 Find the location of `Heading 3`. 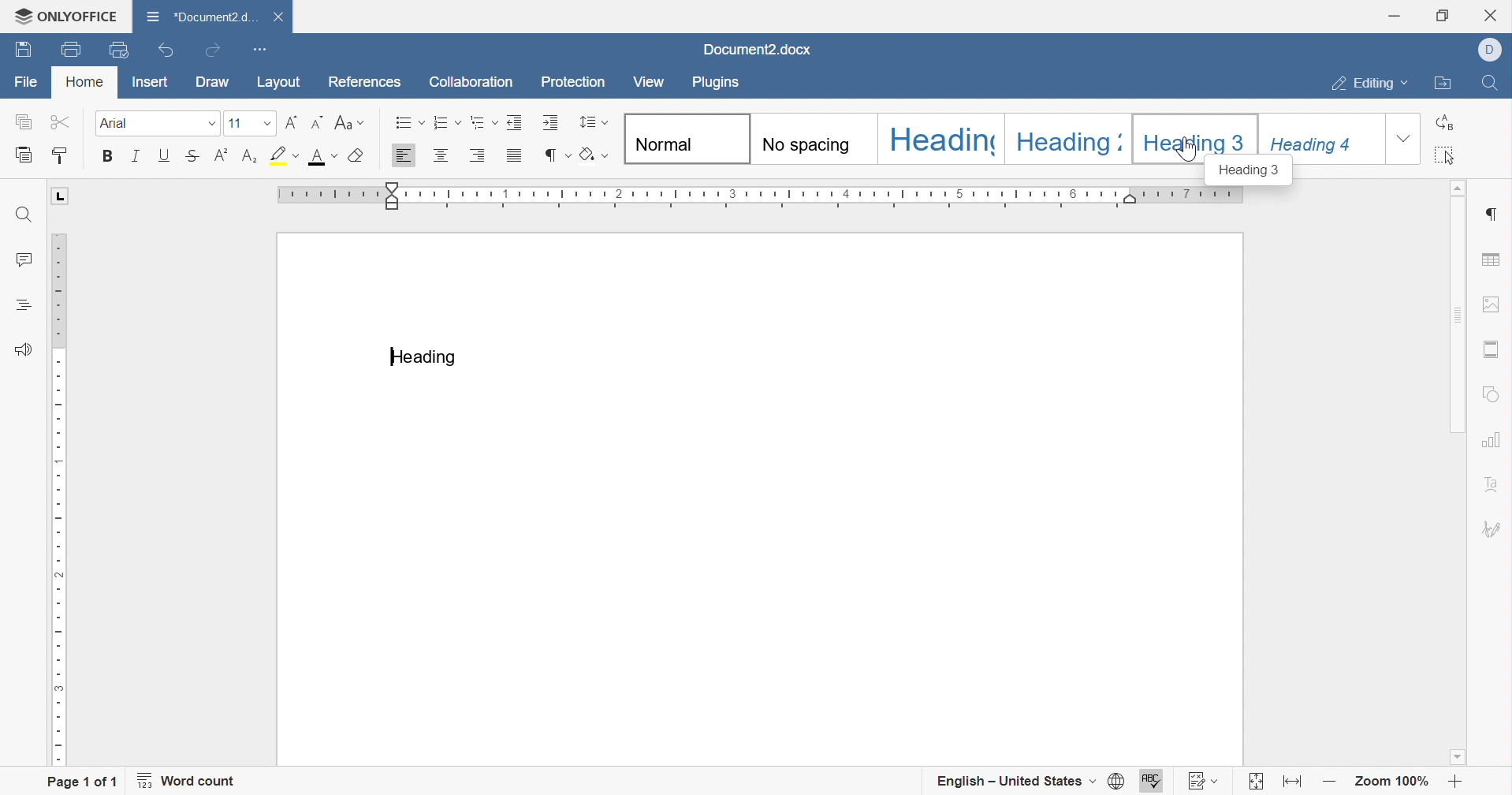

Heading 3 is located at coordinates (1253, 172).